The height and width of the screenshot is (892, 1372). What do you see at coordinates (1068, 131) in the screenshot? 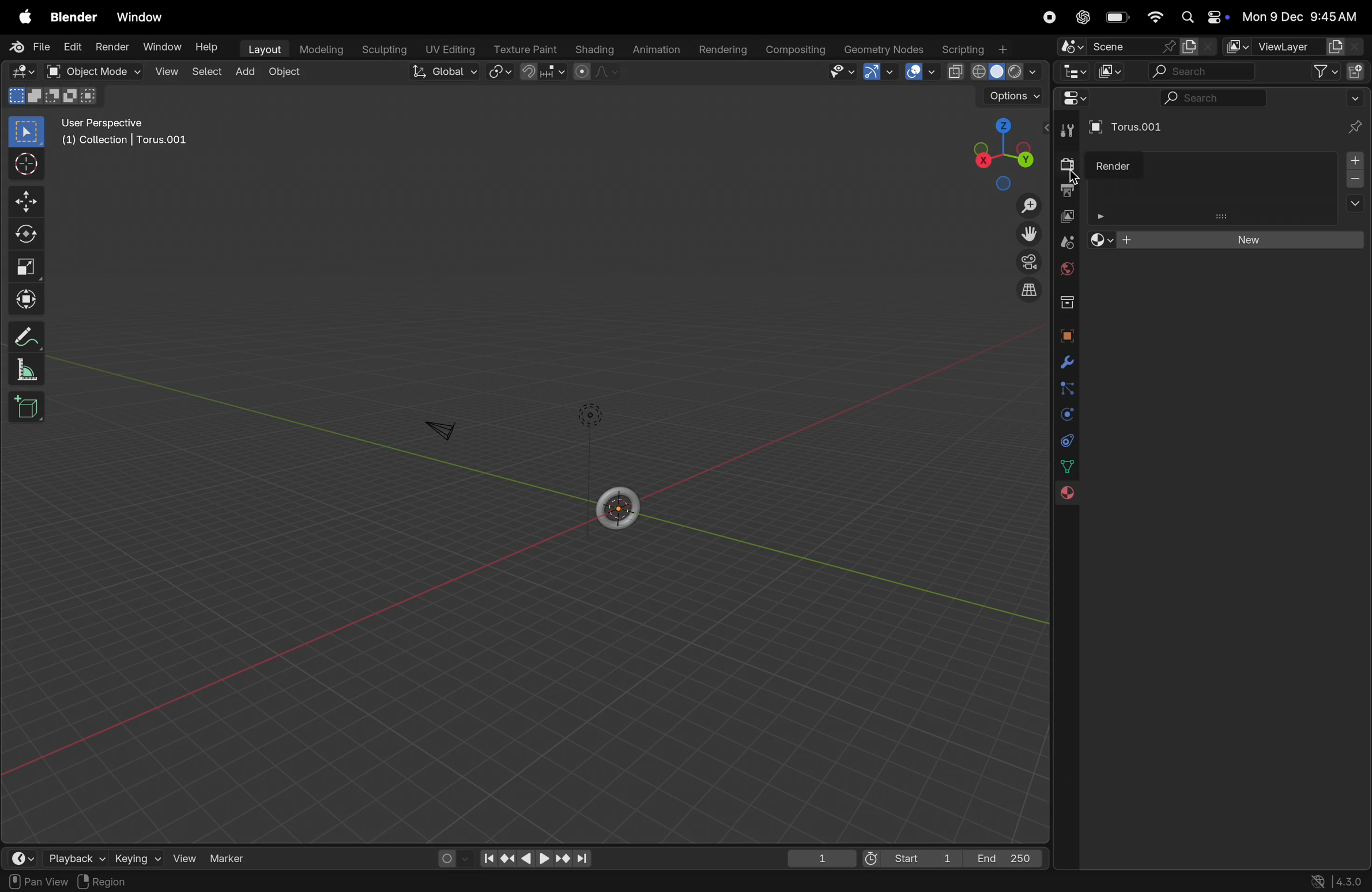
I see `tools` at bounding box center [1068, 131].